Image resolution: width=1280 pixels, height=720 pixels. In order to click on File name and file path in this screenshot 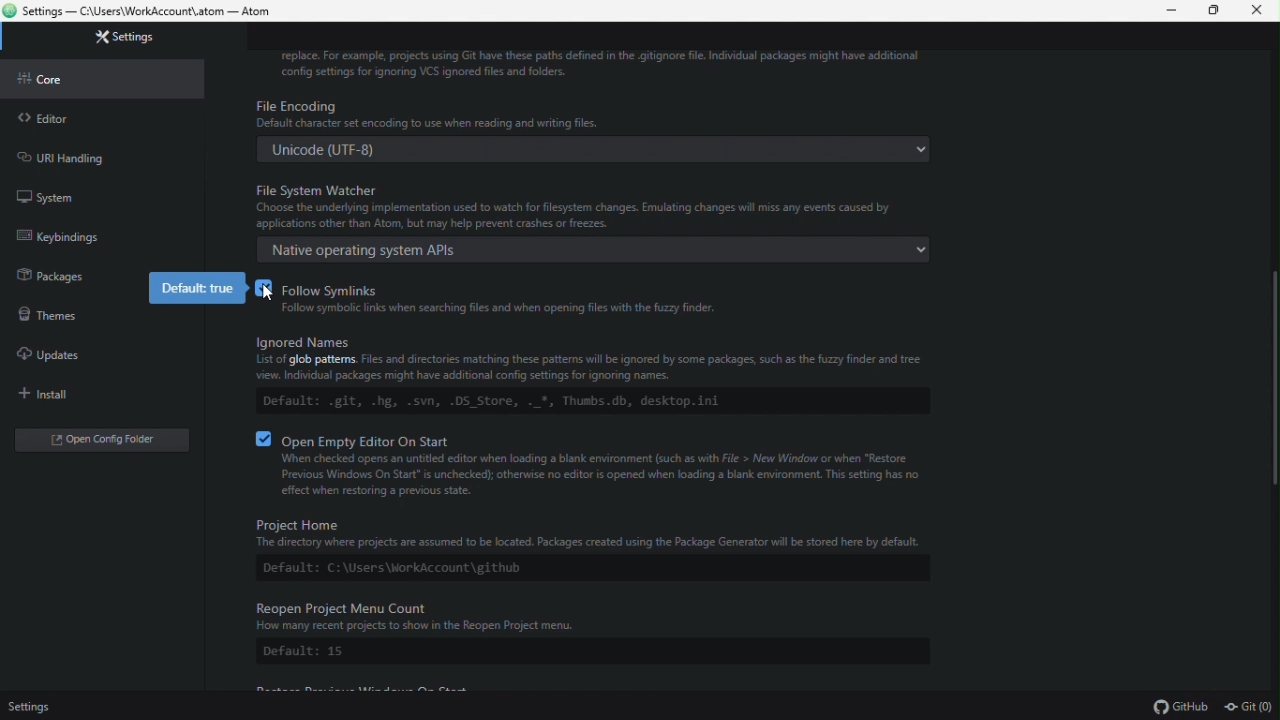, I will do `click(142, 11)`.